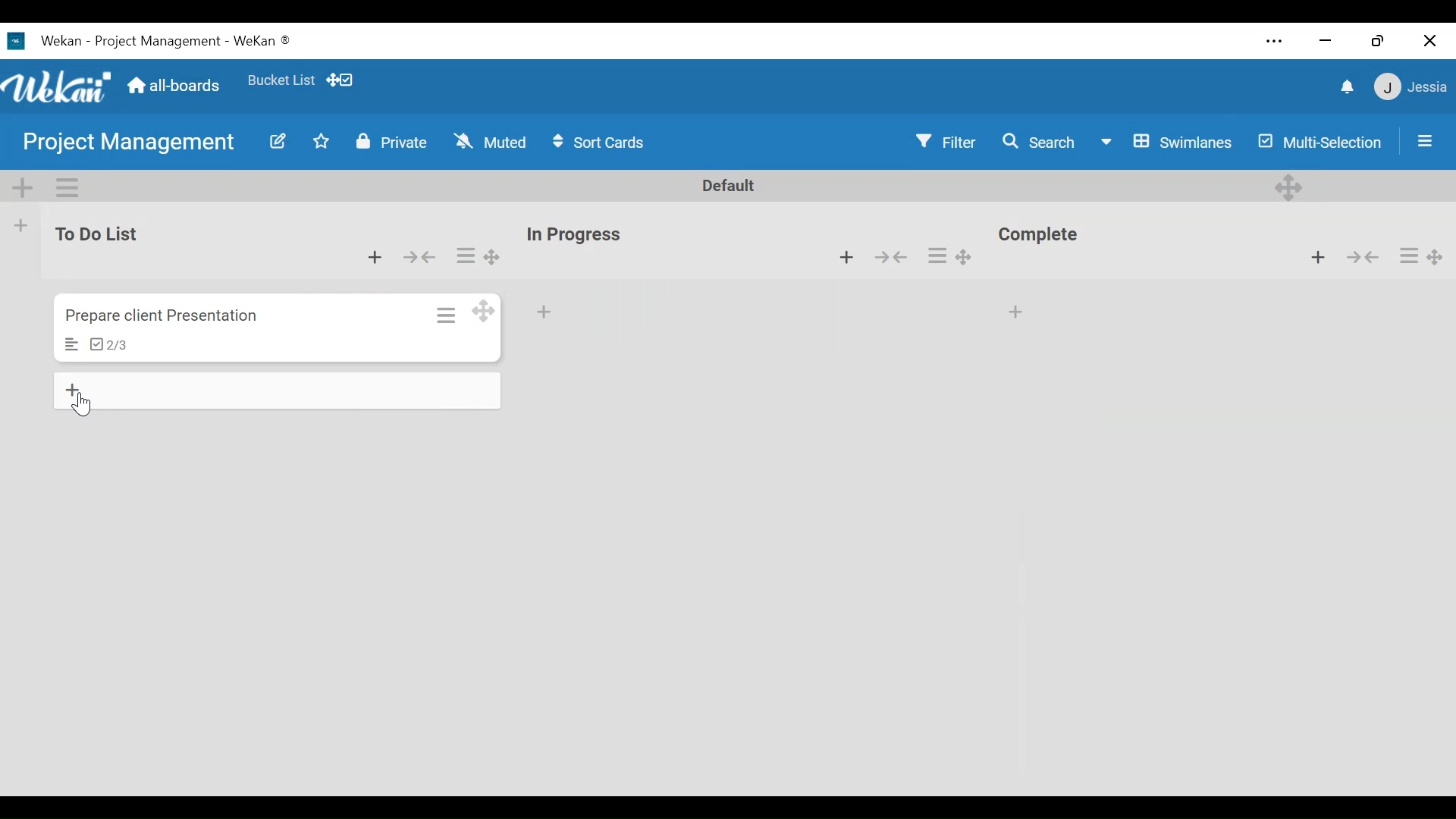 This screenshot has height=819, width=1456. Describe the element at coordinates (22, 225) in the screenshot. I see `Add list` at that location.